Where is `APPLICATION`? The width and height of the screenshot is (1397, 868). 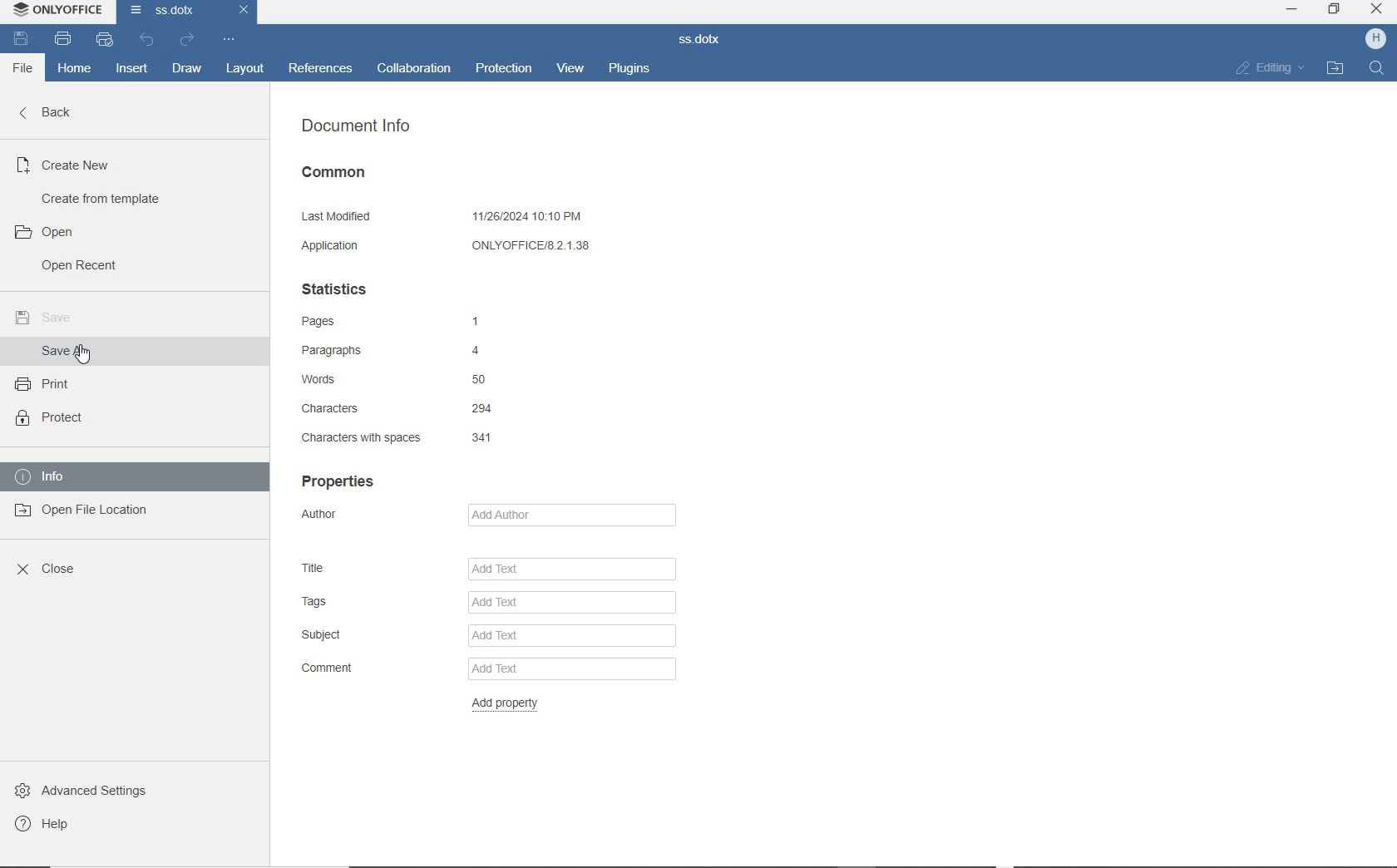 APPLICATION is located at coordinates (457, 245).